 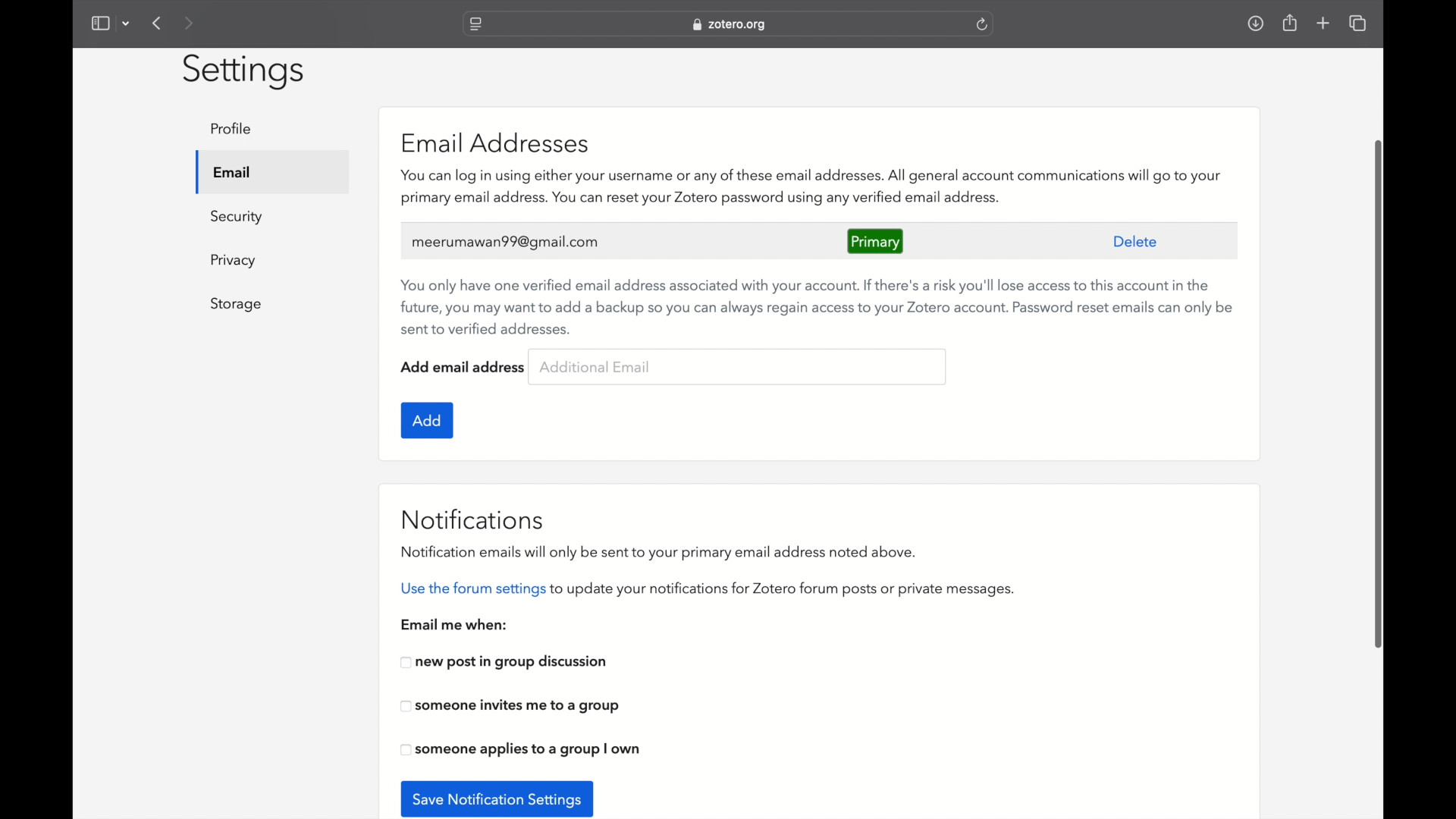 I want to click on someone applies to a group i own , so click(x=520, y=750).